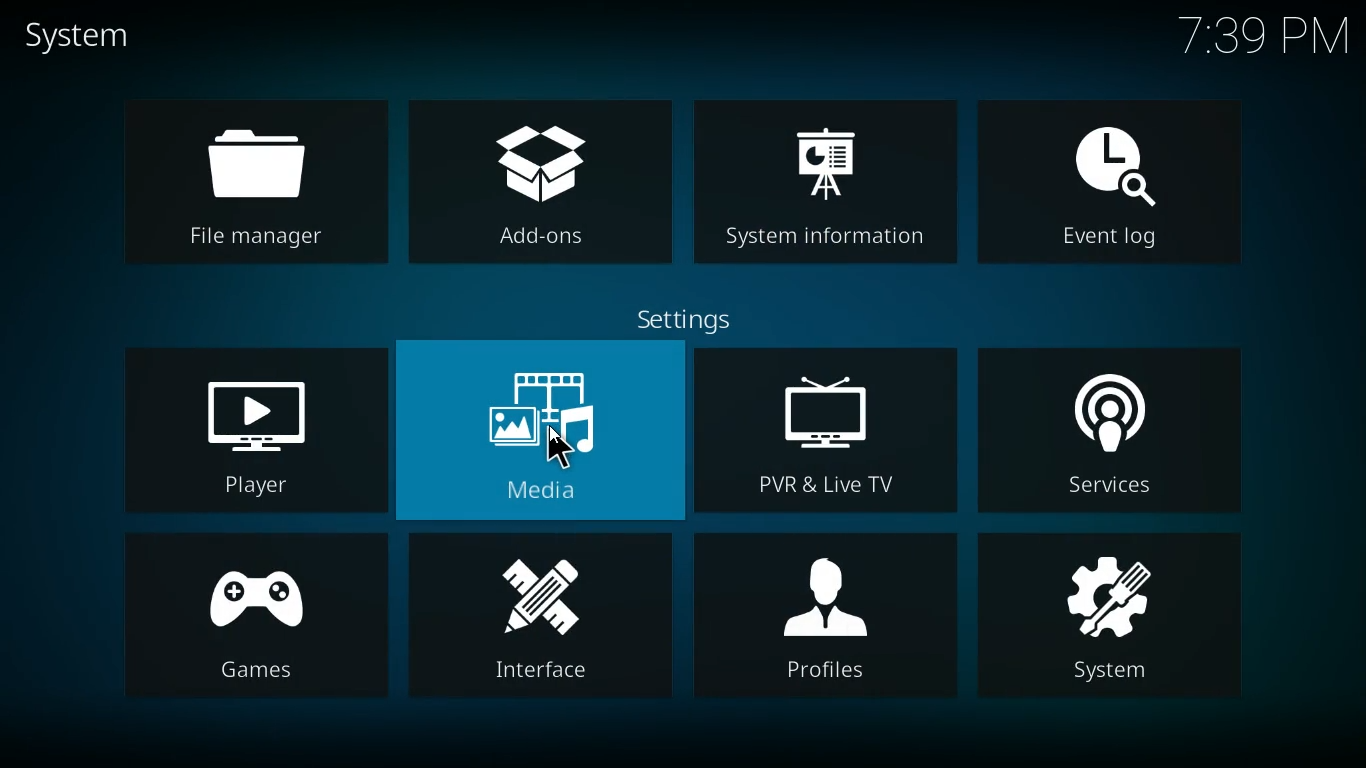  I want to click on system, so click(1118, 623).